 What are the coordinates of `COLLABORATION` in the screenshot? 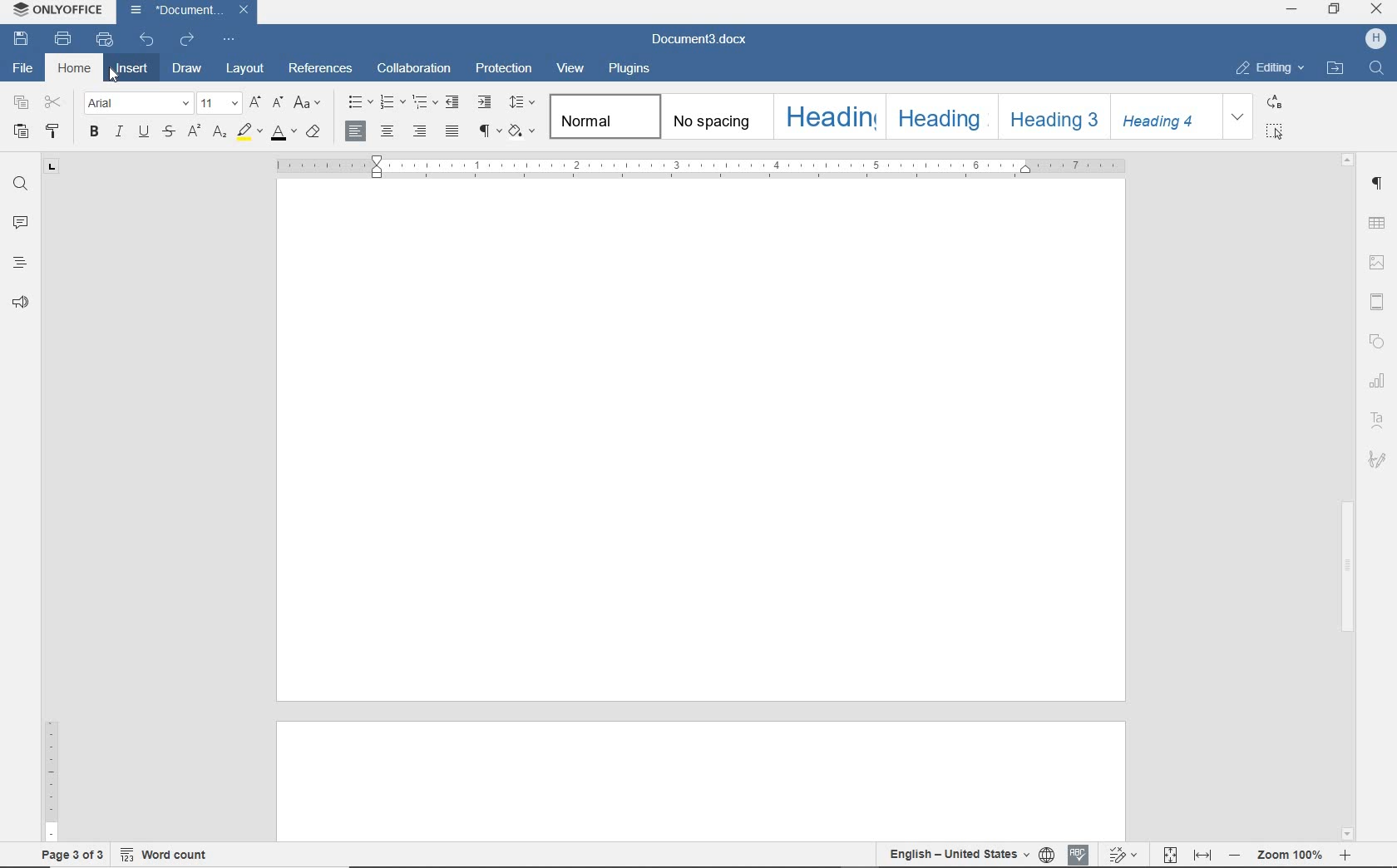 It's located at (414, 71).